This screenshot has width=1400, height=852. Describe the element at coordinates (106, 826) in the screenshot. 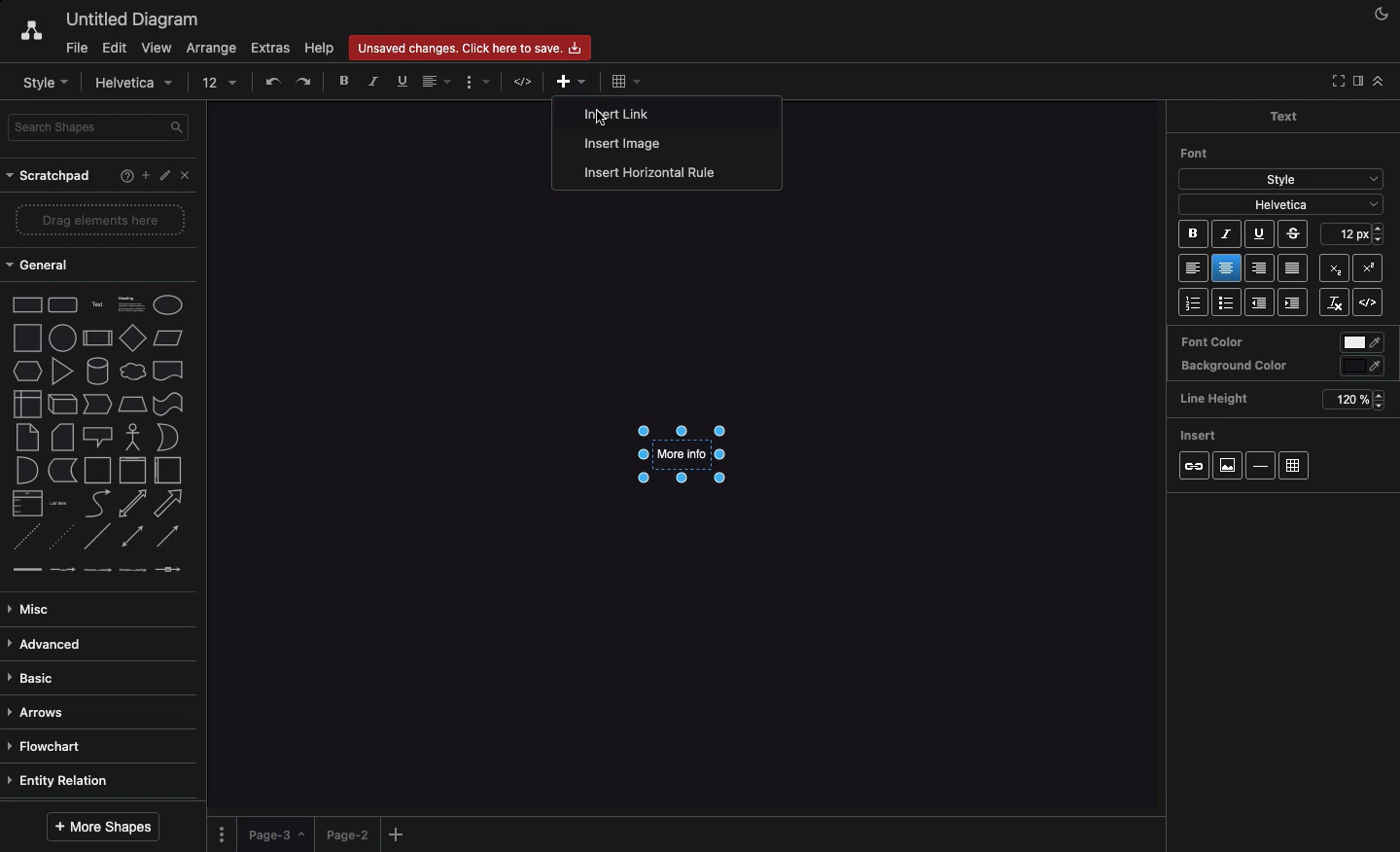

I see `More shapes` at that location.